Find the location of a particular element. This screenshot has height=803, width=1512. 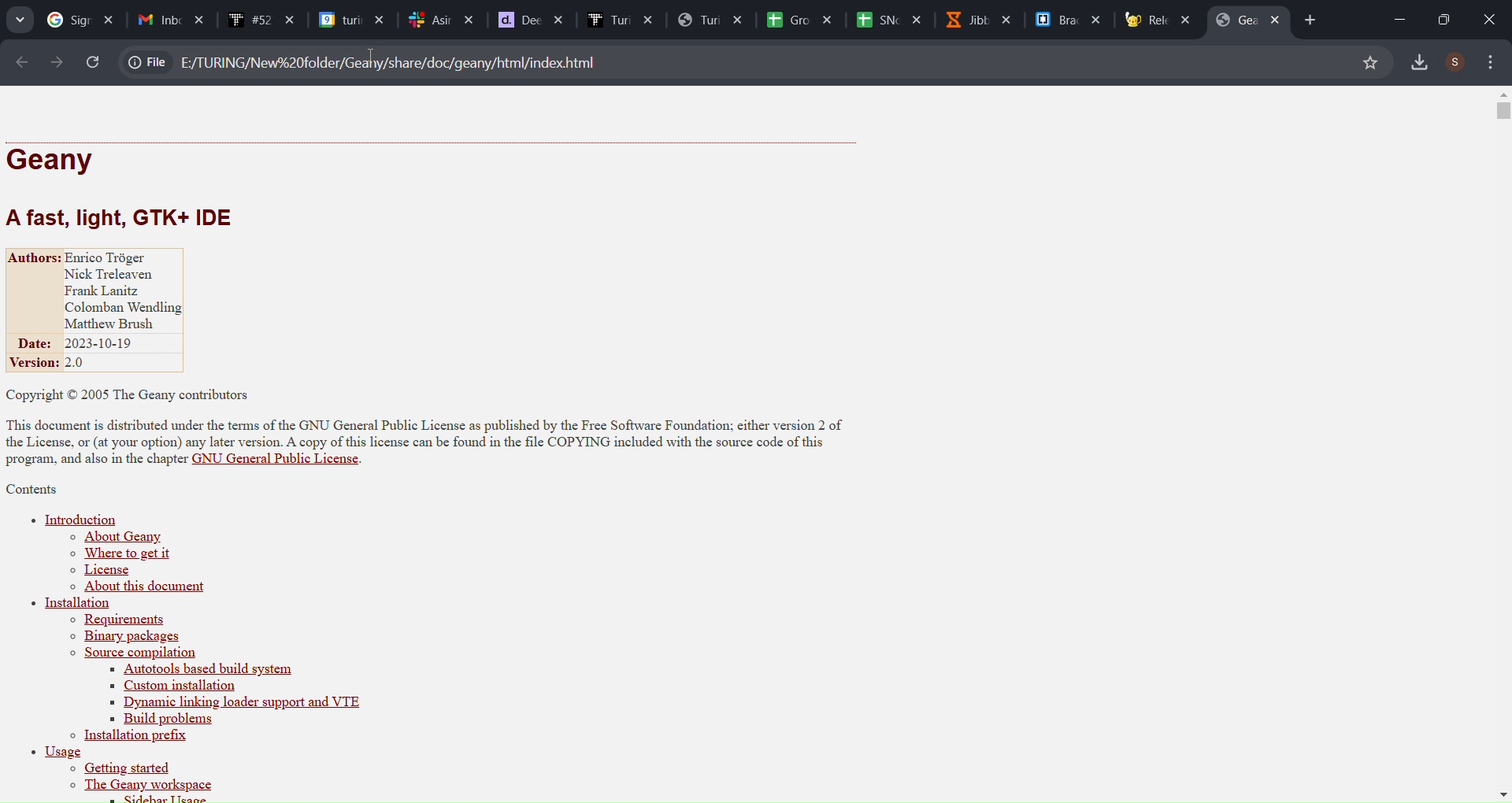

refresh is located at coordinates (94, 62).